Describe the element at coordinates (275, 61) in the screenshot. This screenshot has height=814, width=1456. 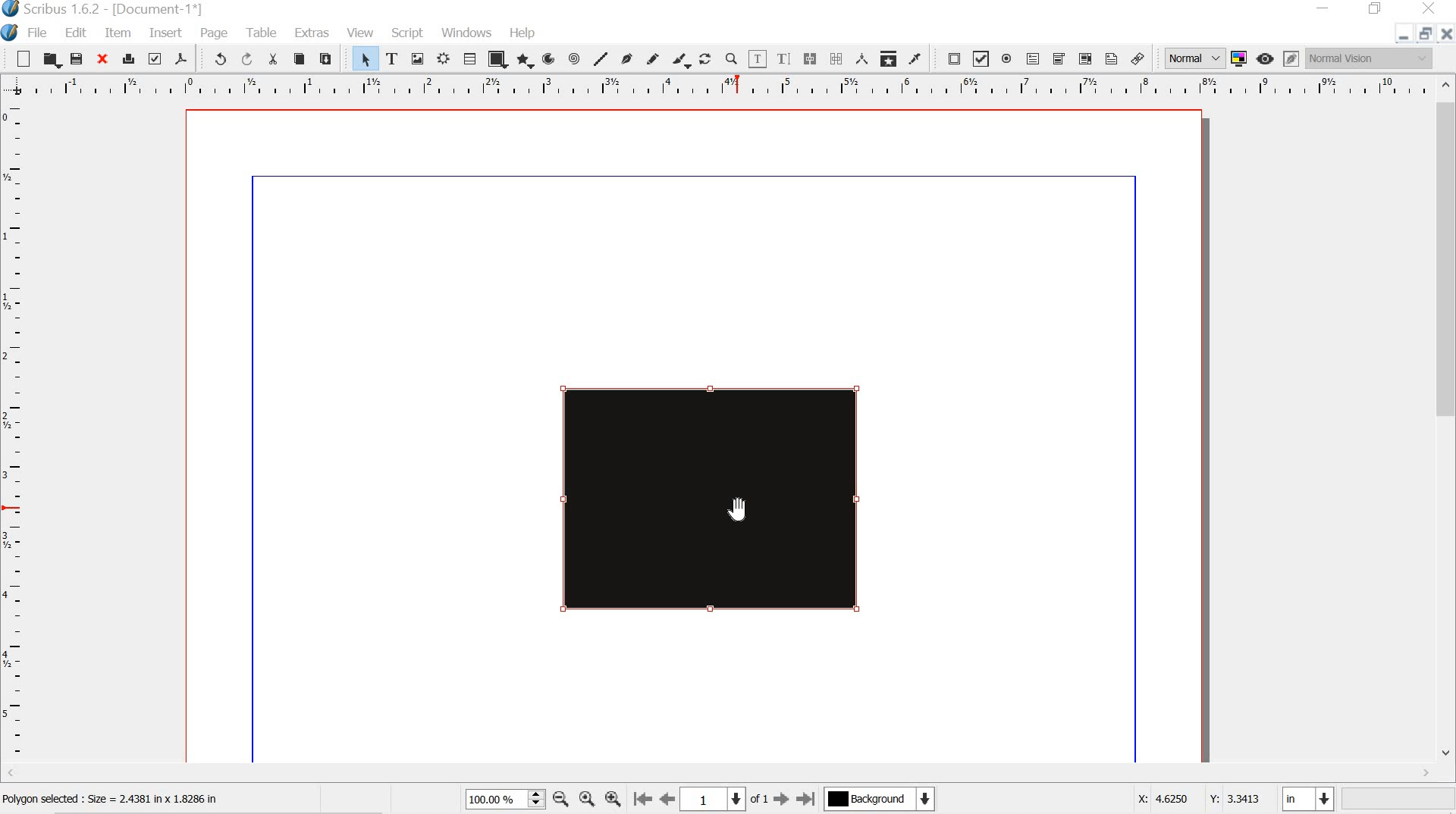
I see `cut` at that location.